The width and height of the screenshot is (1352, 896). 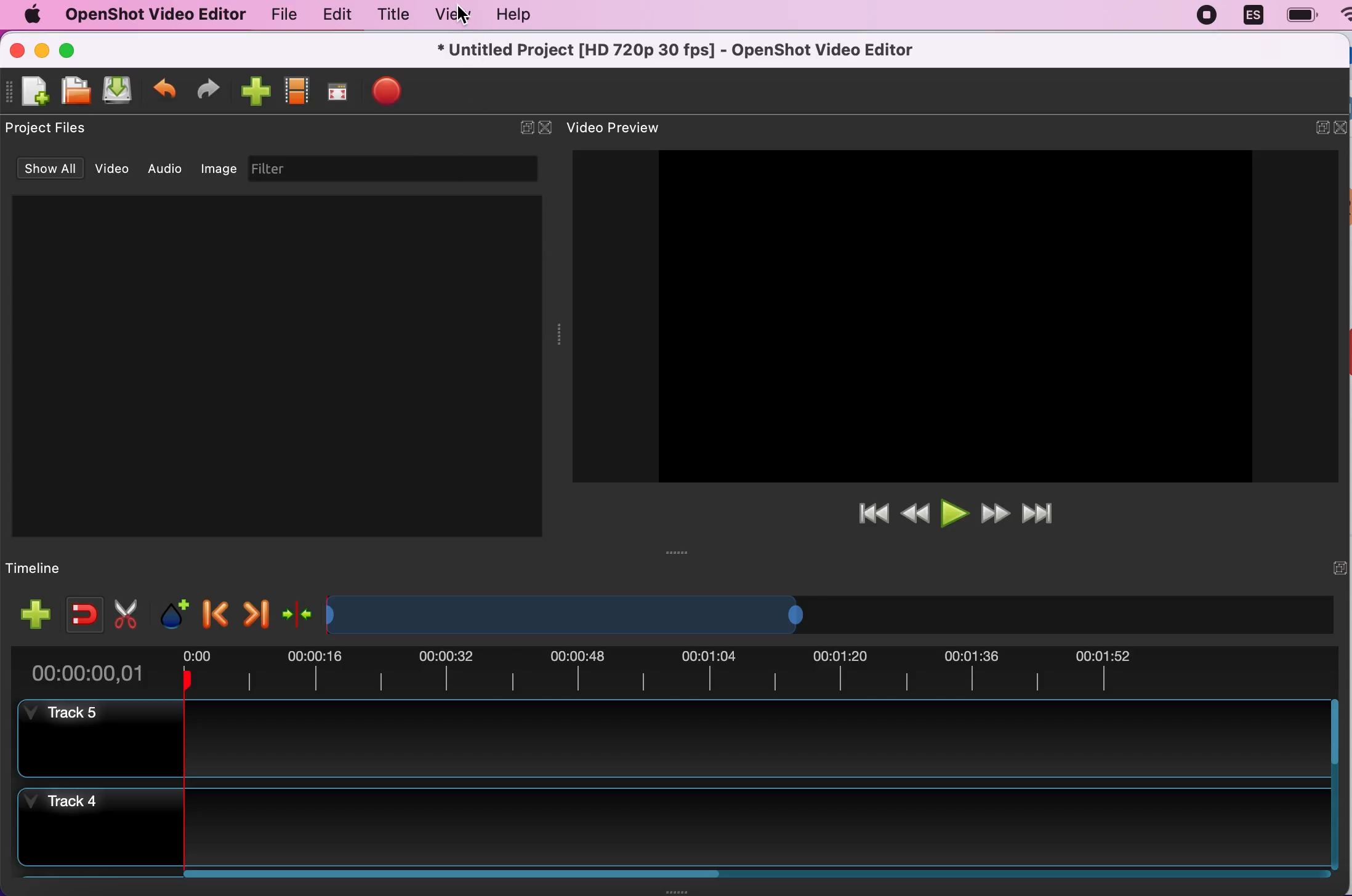 I want to click on time duration, so click(x=673, y=672).